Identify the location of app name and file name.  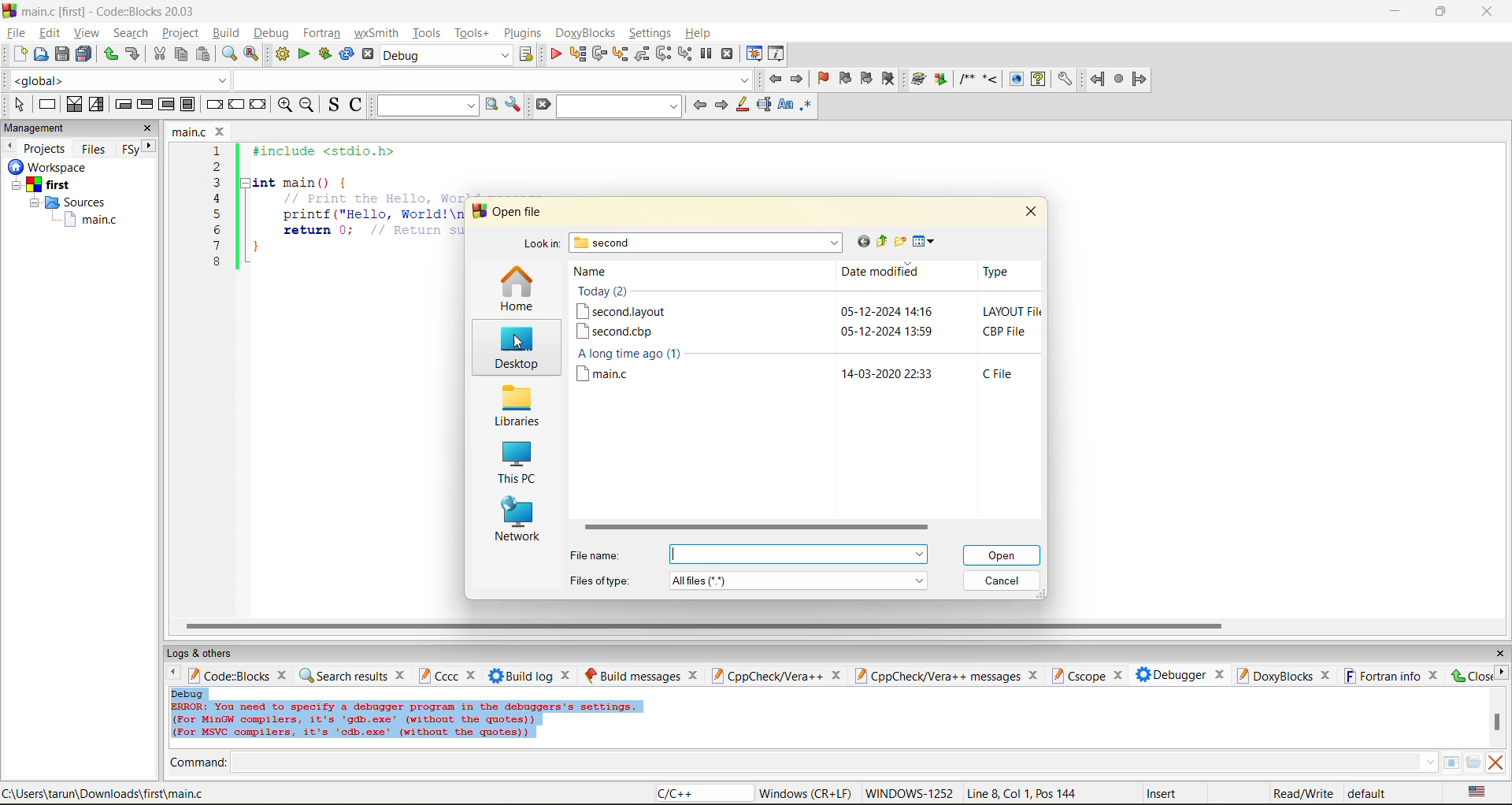
(112, 10).